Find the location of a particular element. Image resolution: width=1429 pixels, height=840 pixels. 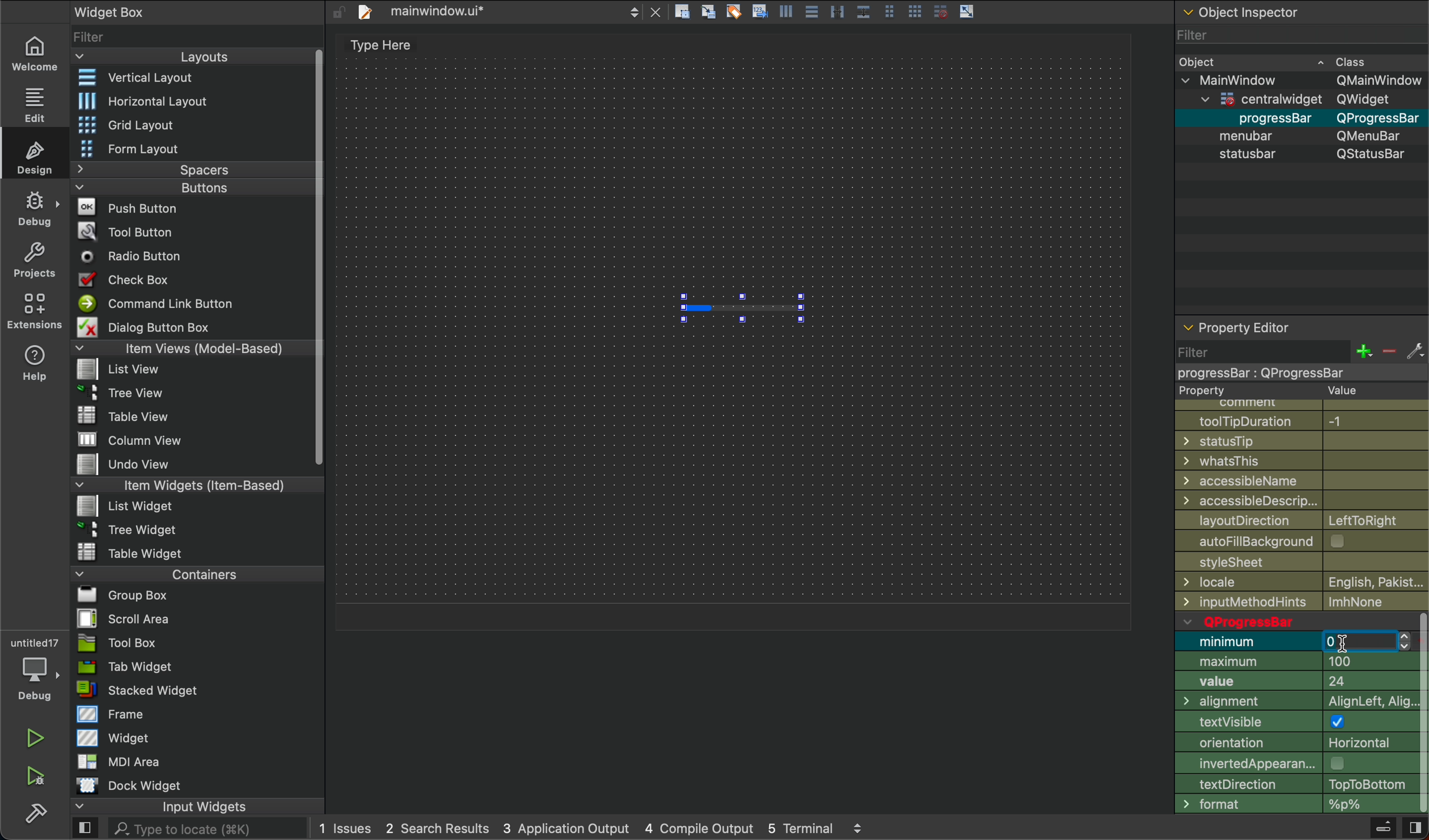

statustip is located at coordinates (1303, 441).